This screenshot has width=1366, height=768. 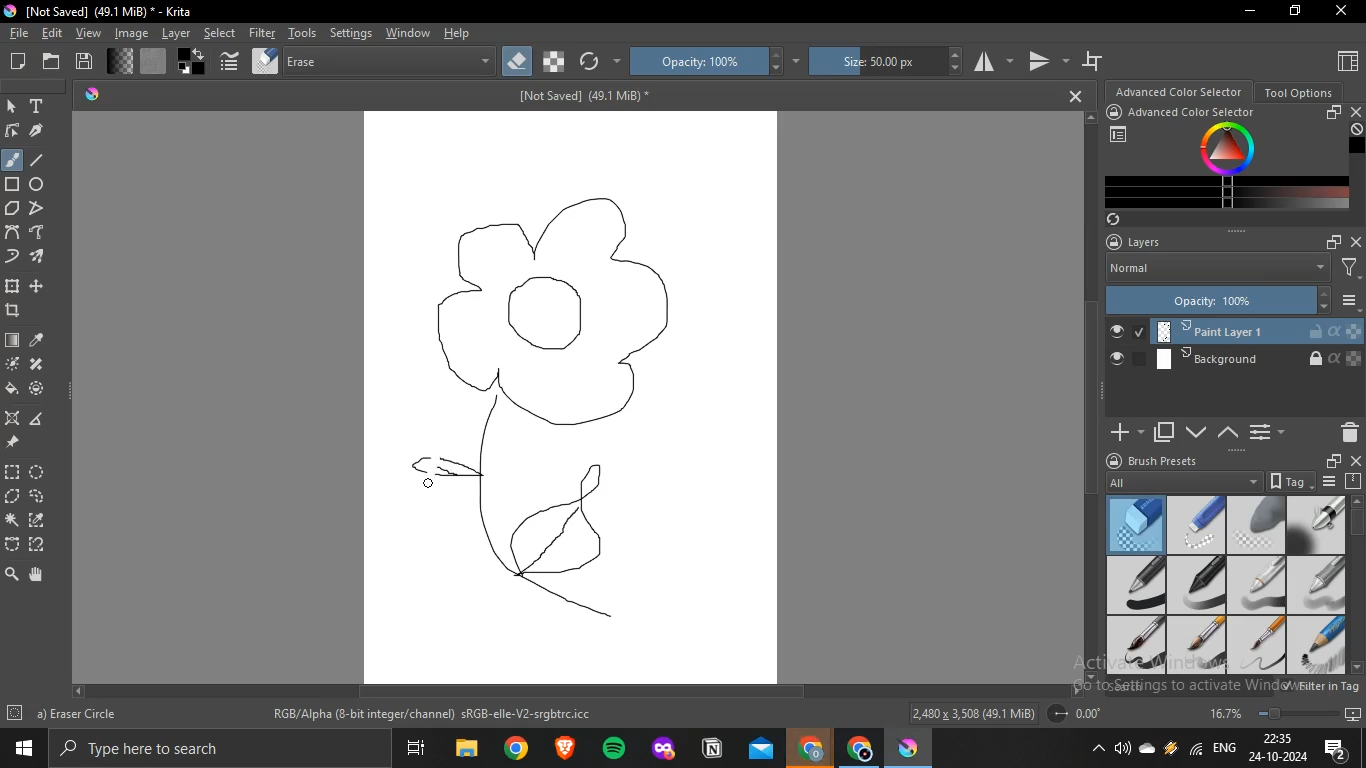 I want to click on basic 1 sketch, so click(x=1318, y=645).